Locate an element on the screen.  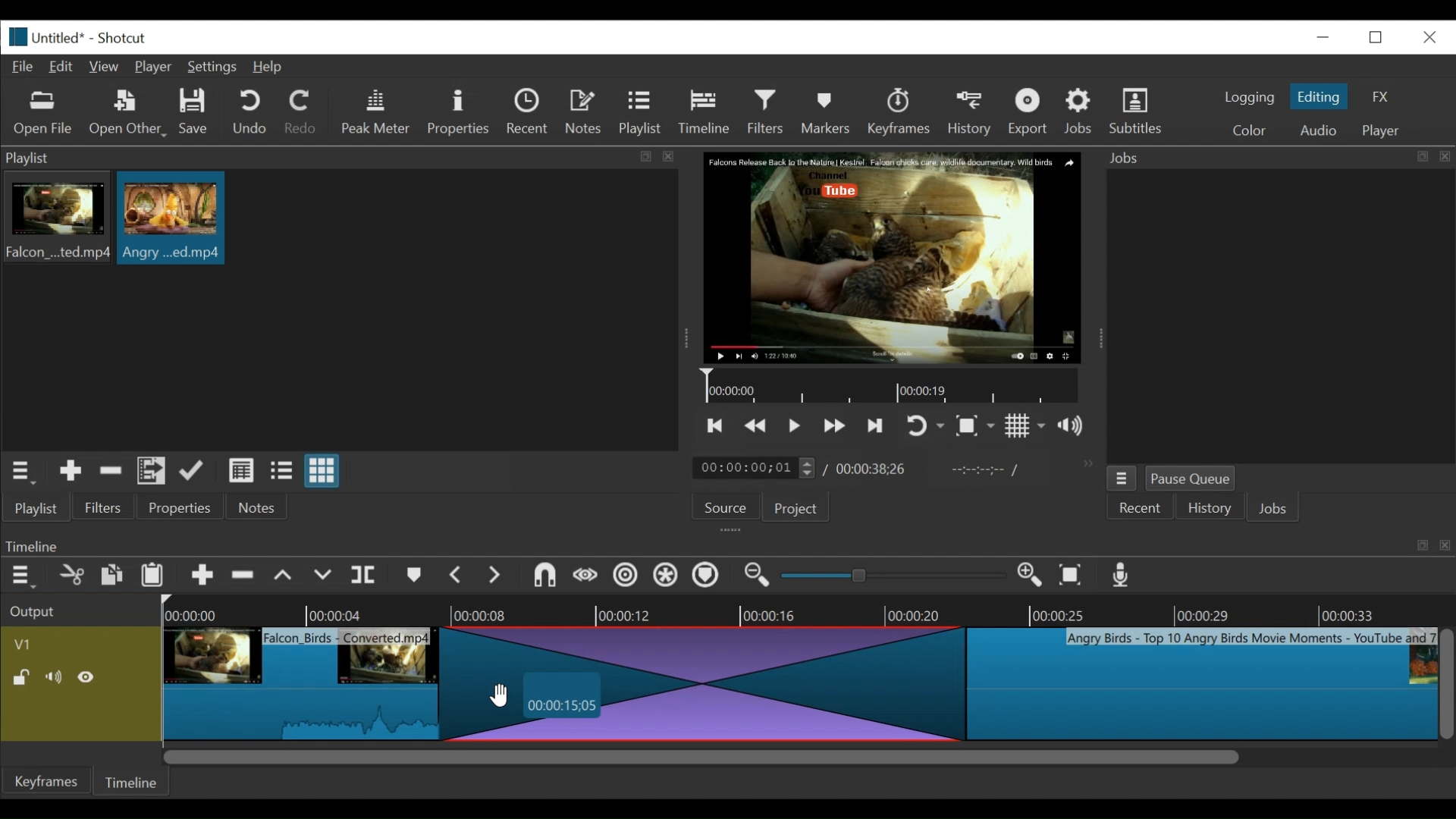
Mute is located at coordinates (57, 677).